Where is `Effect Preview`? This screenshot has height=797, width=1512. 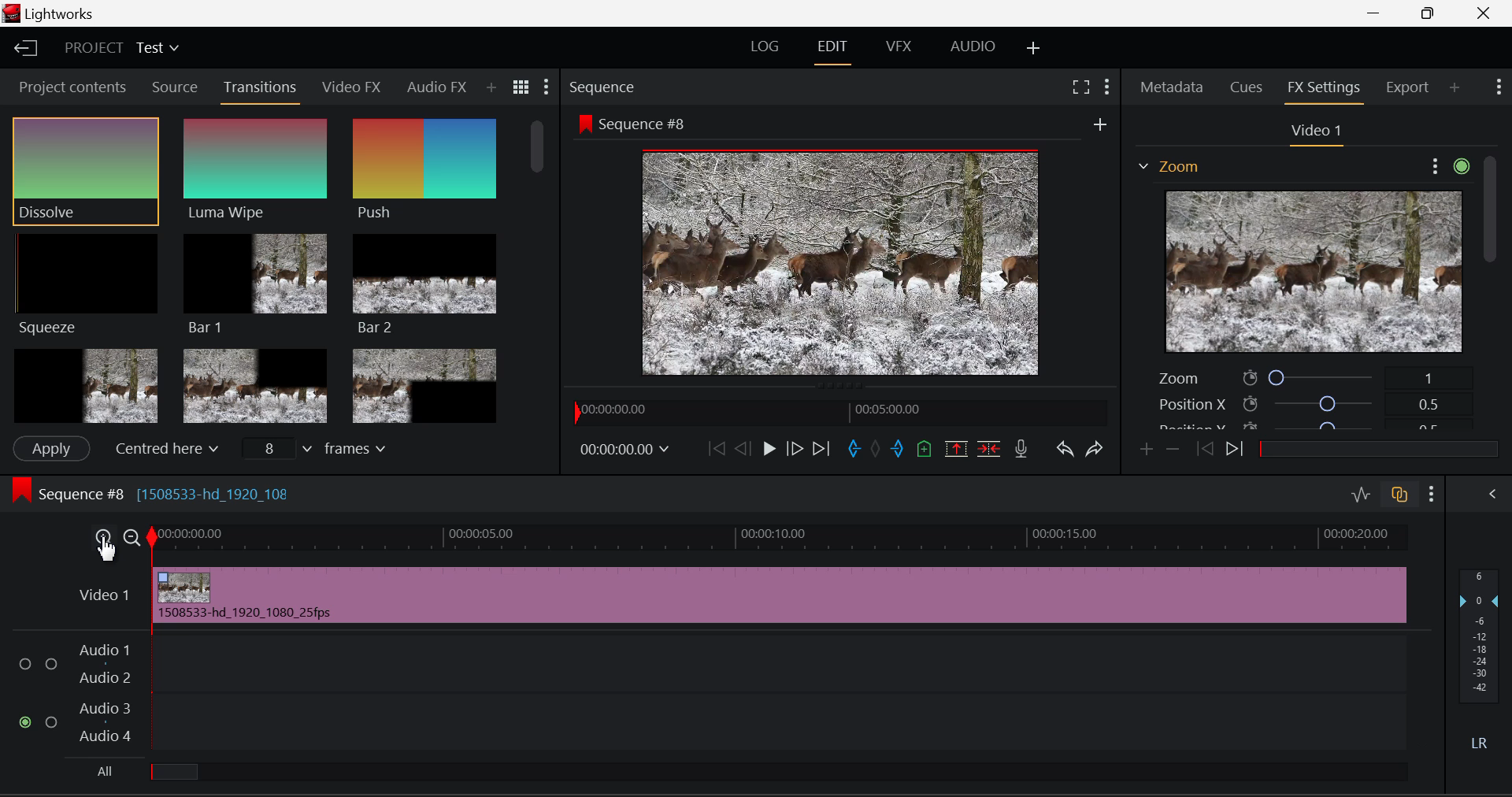 Effect Preview is located at coordinates (1317, 271).